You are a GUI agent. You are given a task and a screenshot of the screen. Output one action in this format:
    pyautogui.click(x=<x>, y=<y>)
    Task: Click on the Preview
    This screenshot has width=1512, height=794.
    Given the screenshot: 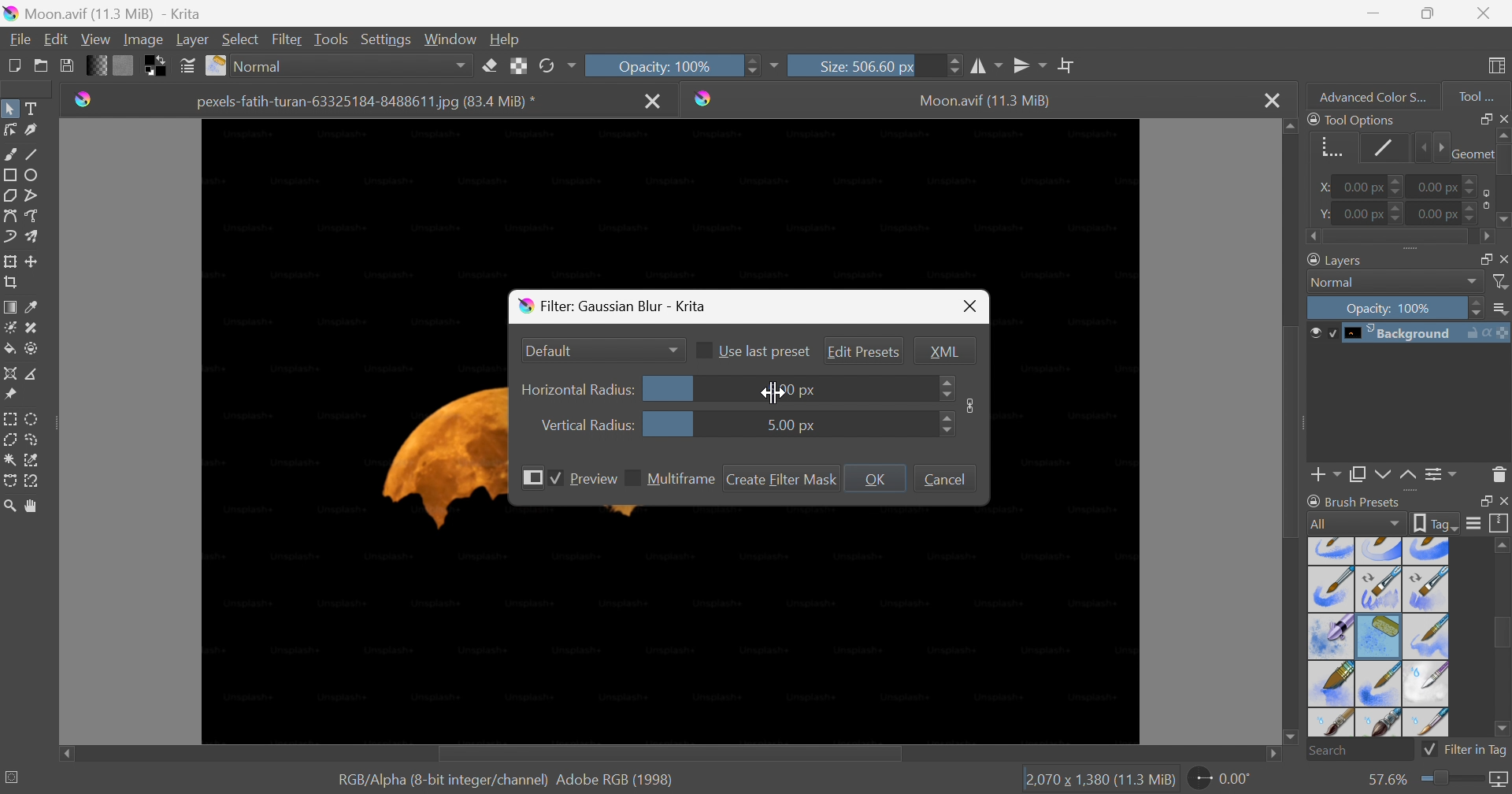 What is the action you would take?
    pyautogui.click(x=594, y=479)
    